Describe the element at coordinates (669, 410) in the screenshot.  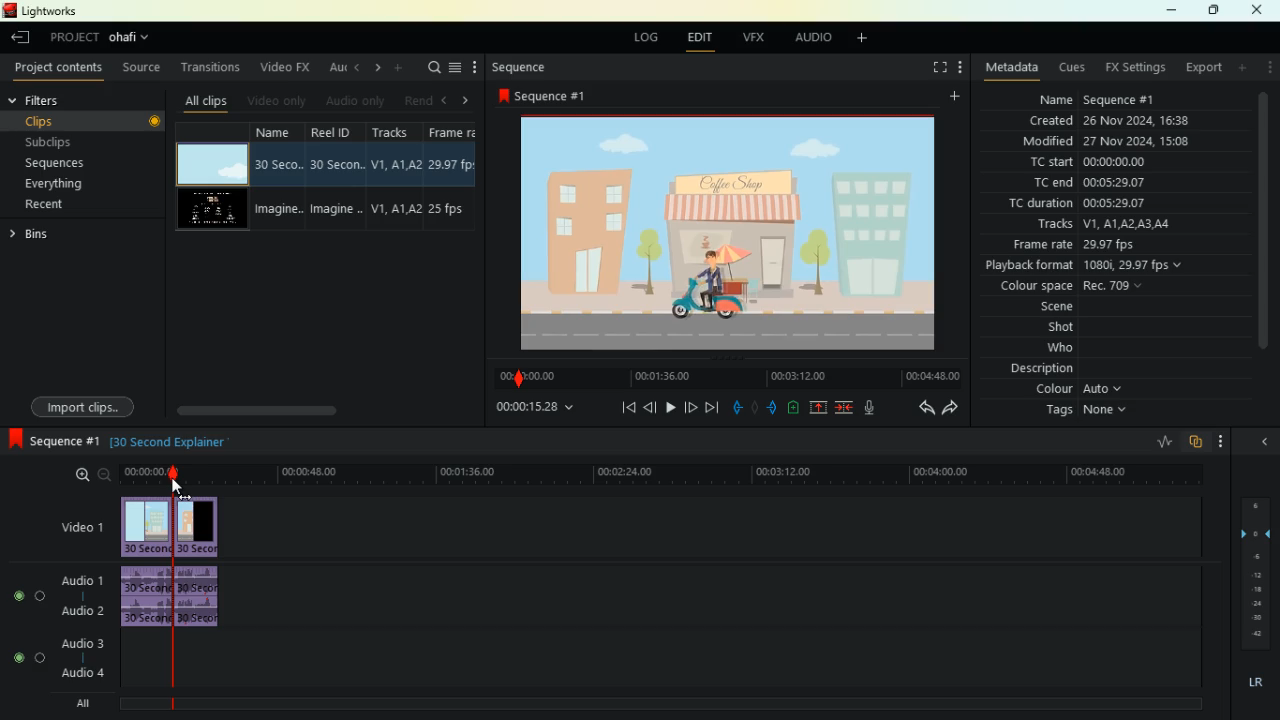
I see `play` at that location.